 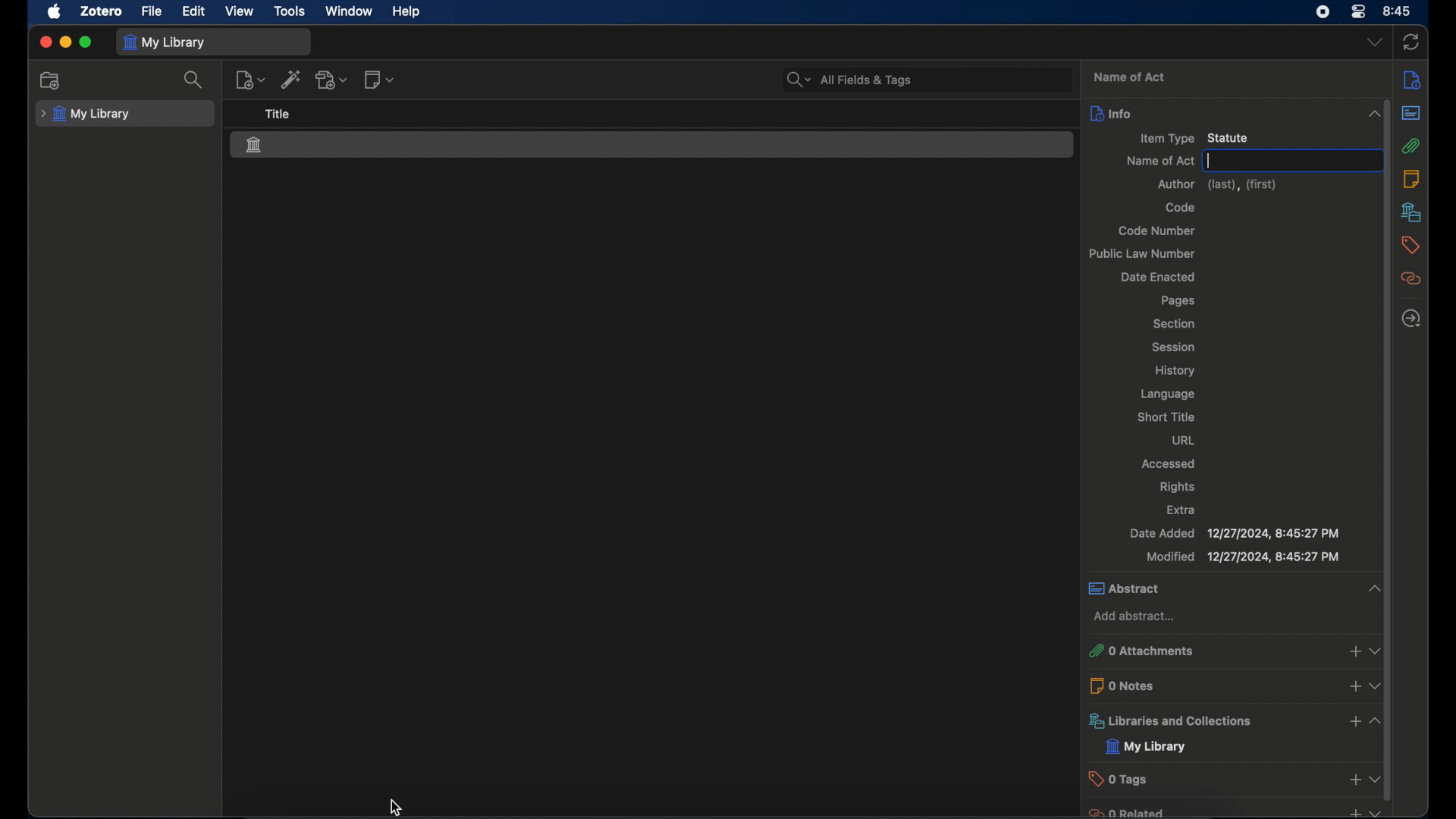 I want to click on title, so click(x=279, y=115).